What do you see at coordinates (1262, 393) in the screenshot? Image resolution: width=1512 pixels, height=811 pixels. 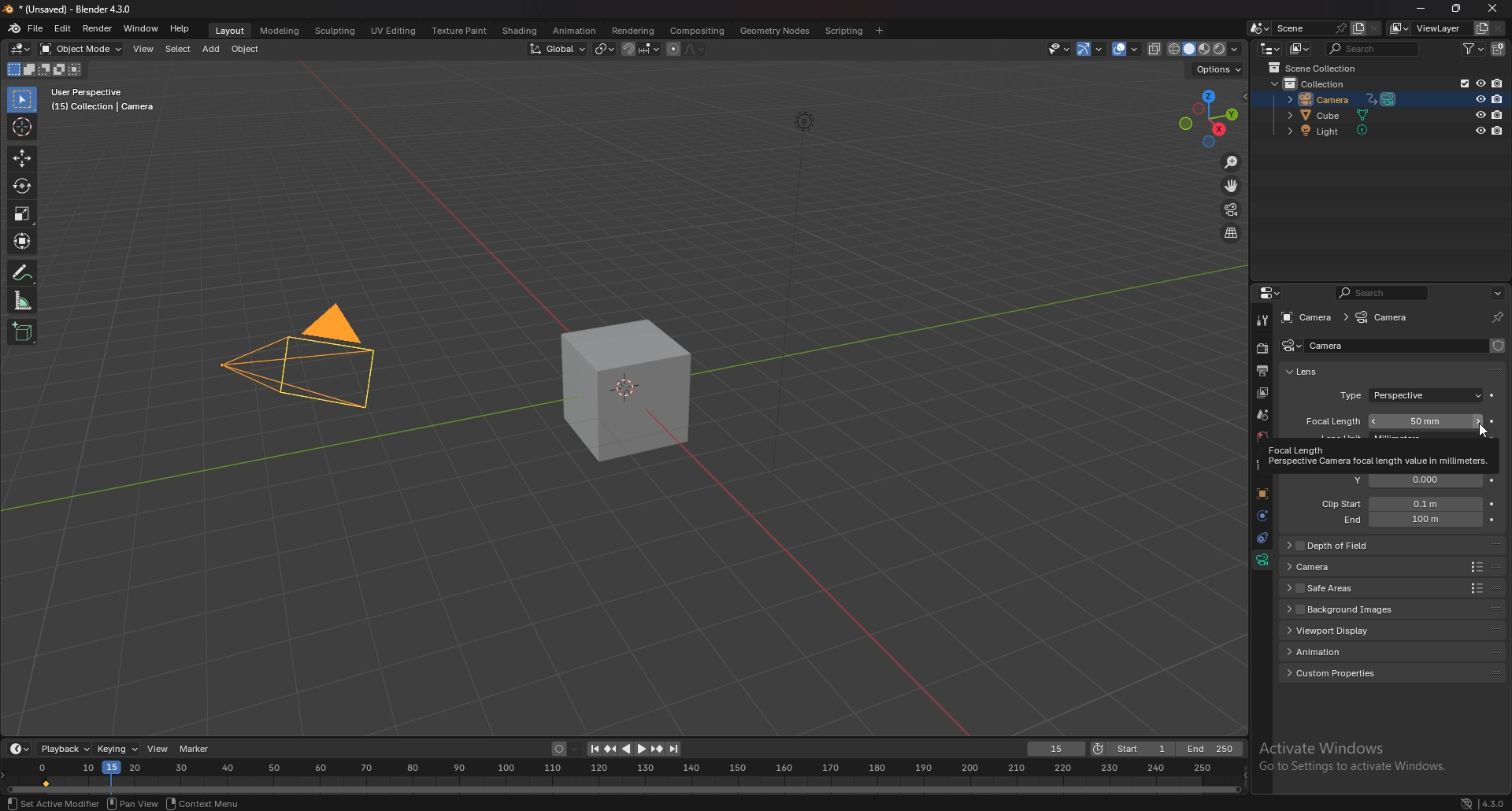 I see `layer` at bounding box center [1262, 393].